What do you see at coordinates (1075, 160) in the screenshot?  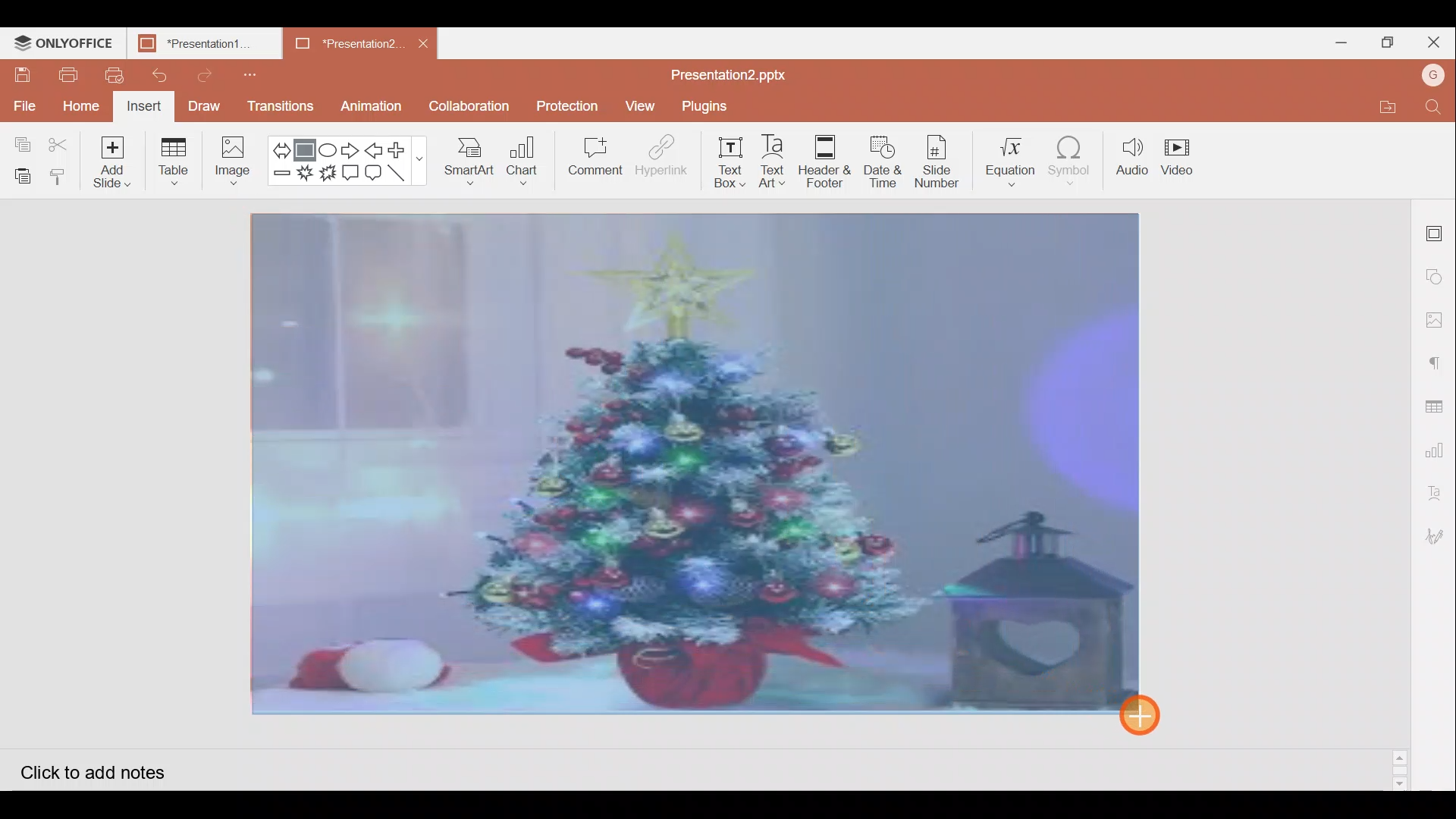 I see `Symbol` at bounding box center [1075, 160].